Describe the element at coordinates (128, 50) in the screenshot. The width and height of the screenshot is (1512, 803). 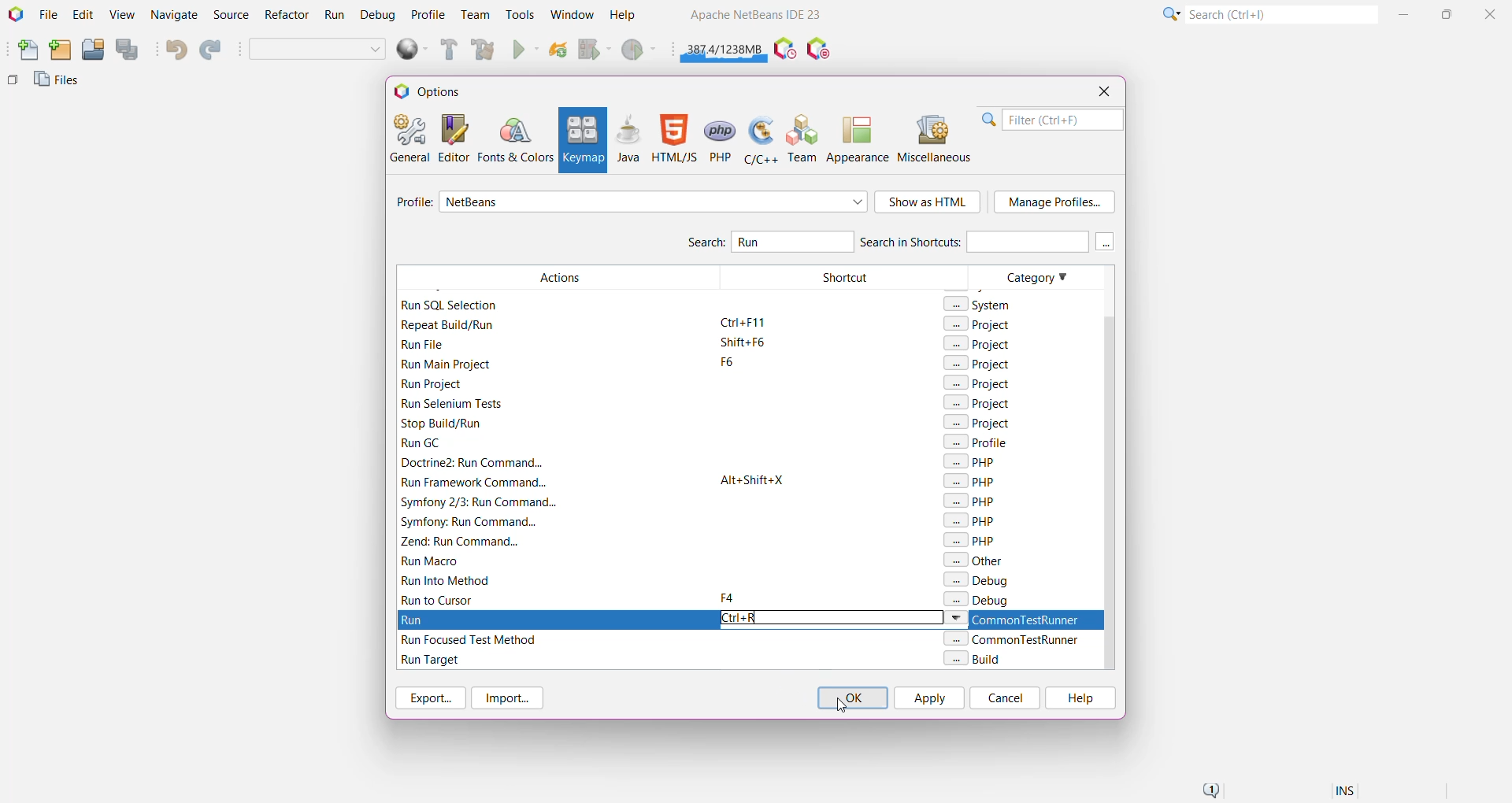
I see `Save All` at that location.